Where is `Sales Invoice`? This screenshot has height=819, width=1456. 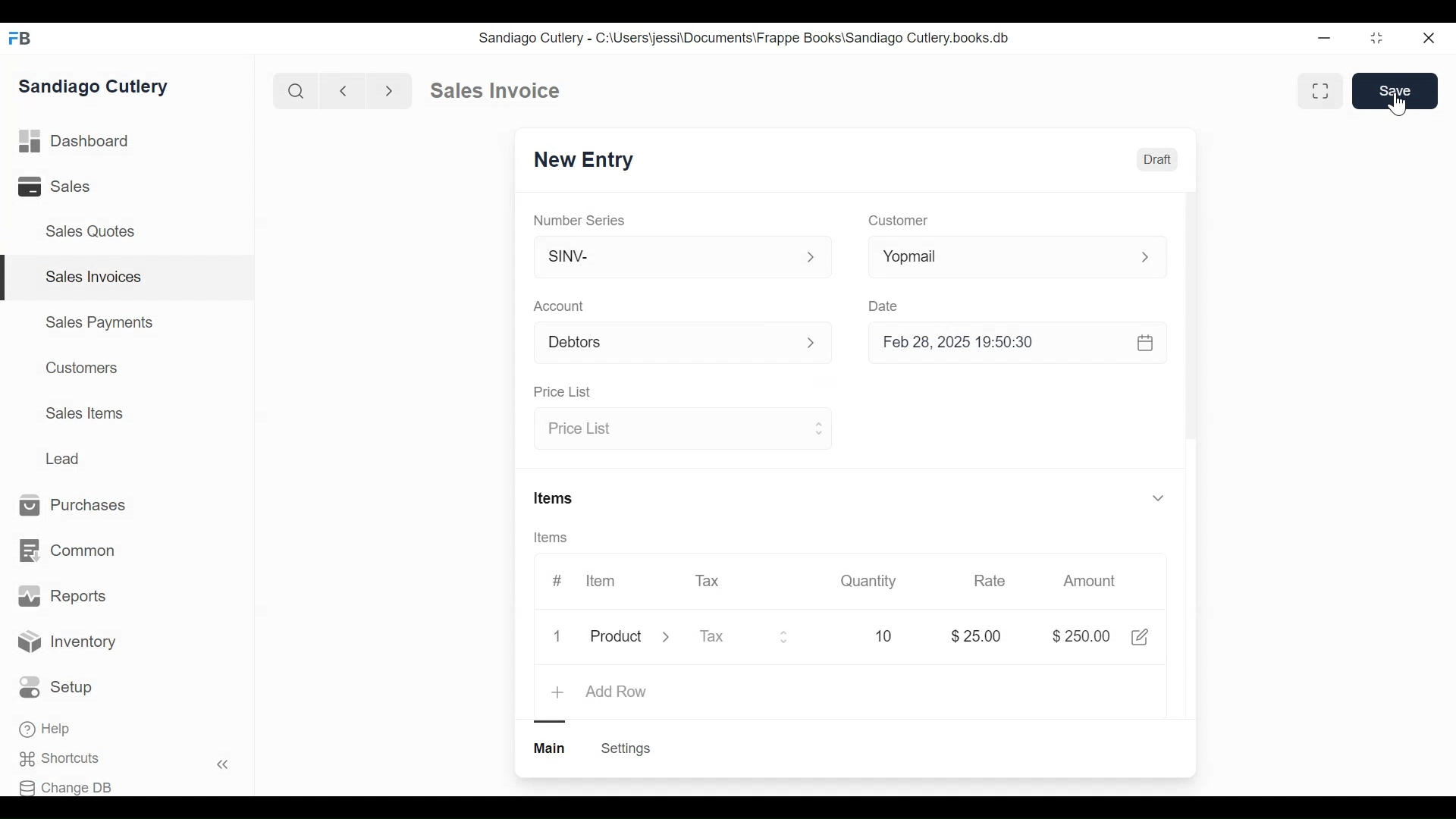 Sales Invoice is located at coordinates (494, 91).